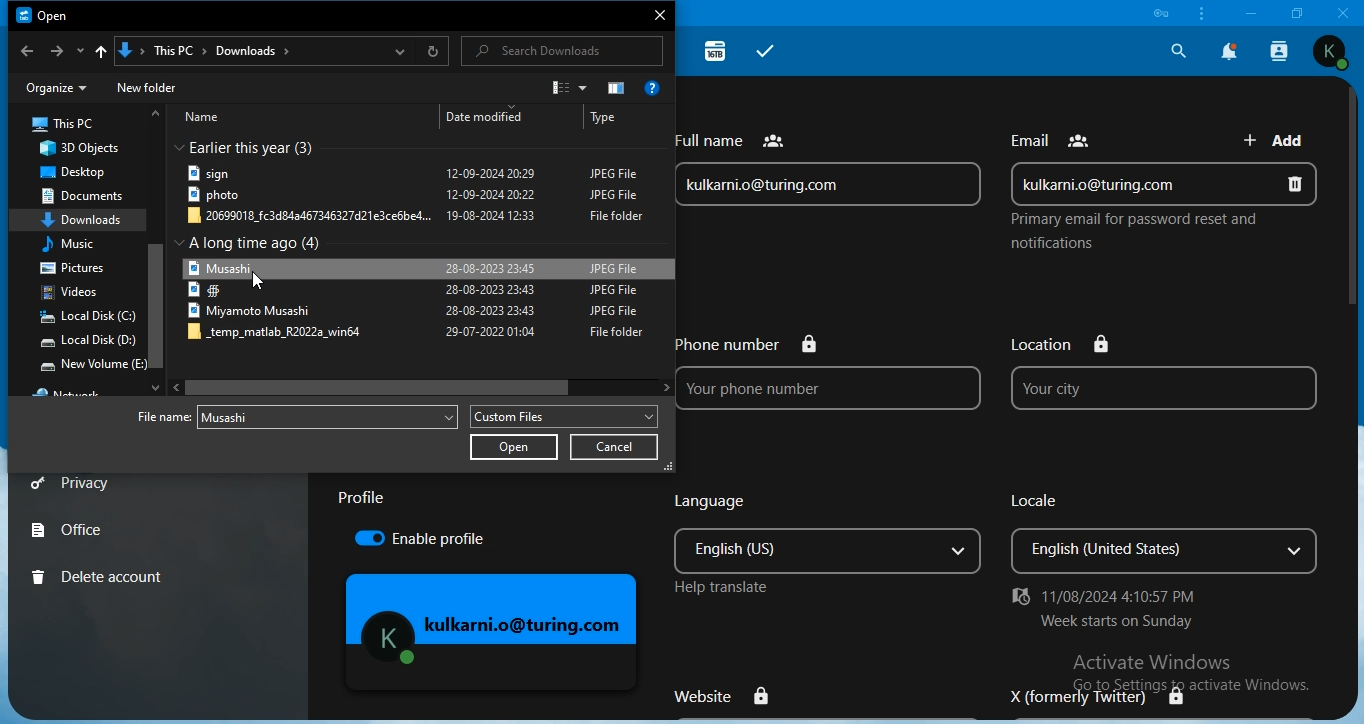  What do you see at coordinates (514, 446) in the screenshot?
I see `open` at bounding box center [514, 446].